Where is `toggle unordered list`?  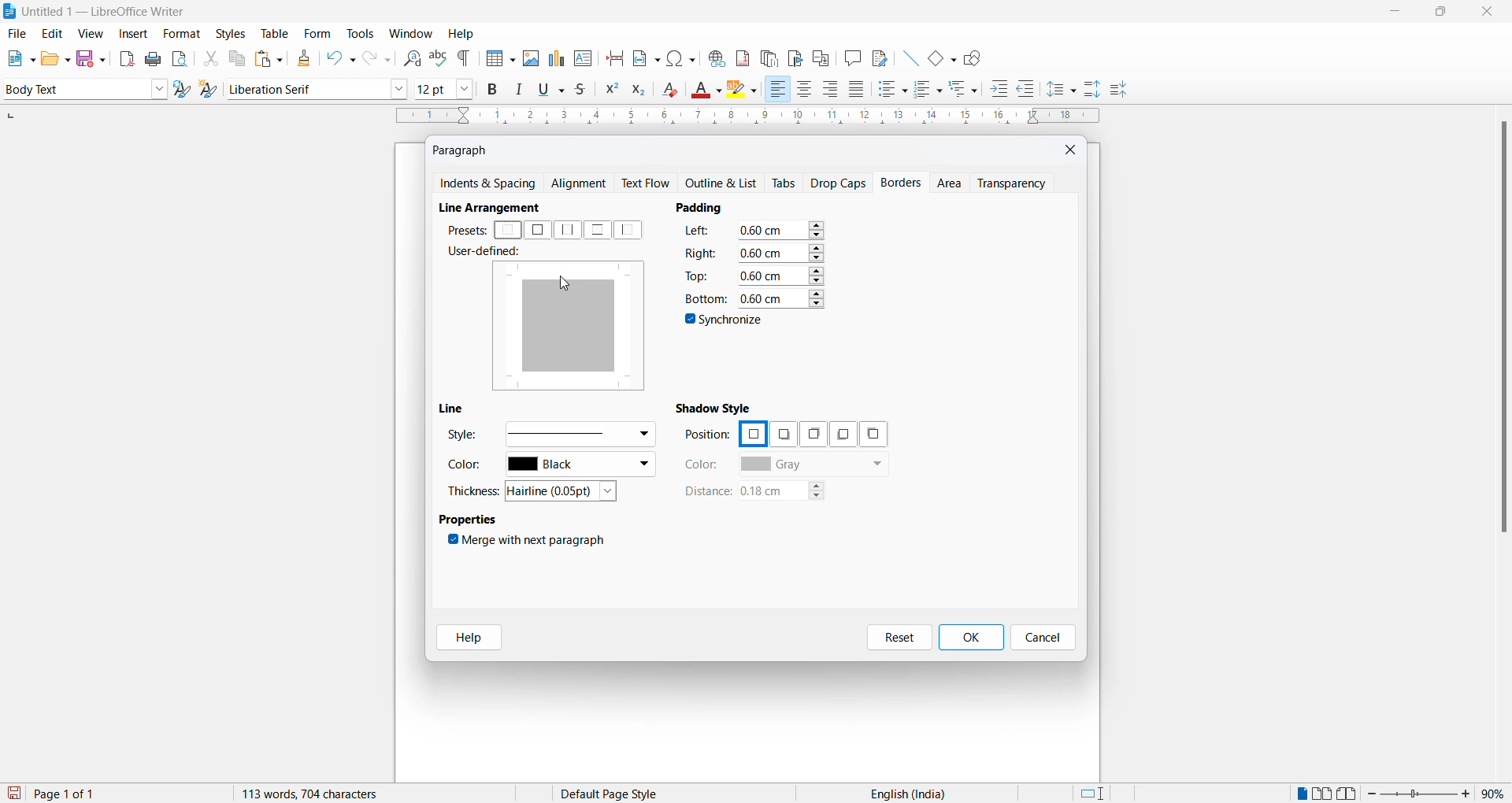
toggle unordered list is located at coordinates (892, 89).